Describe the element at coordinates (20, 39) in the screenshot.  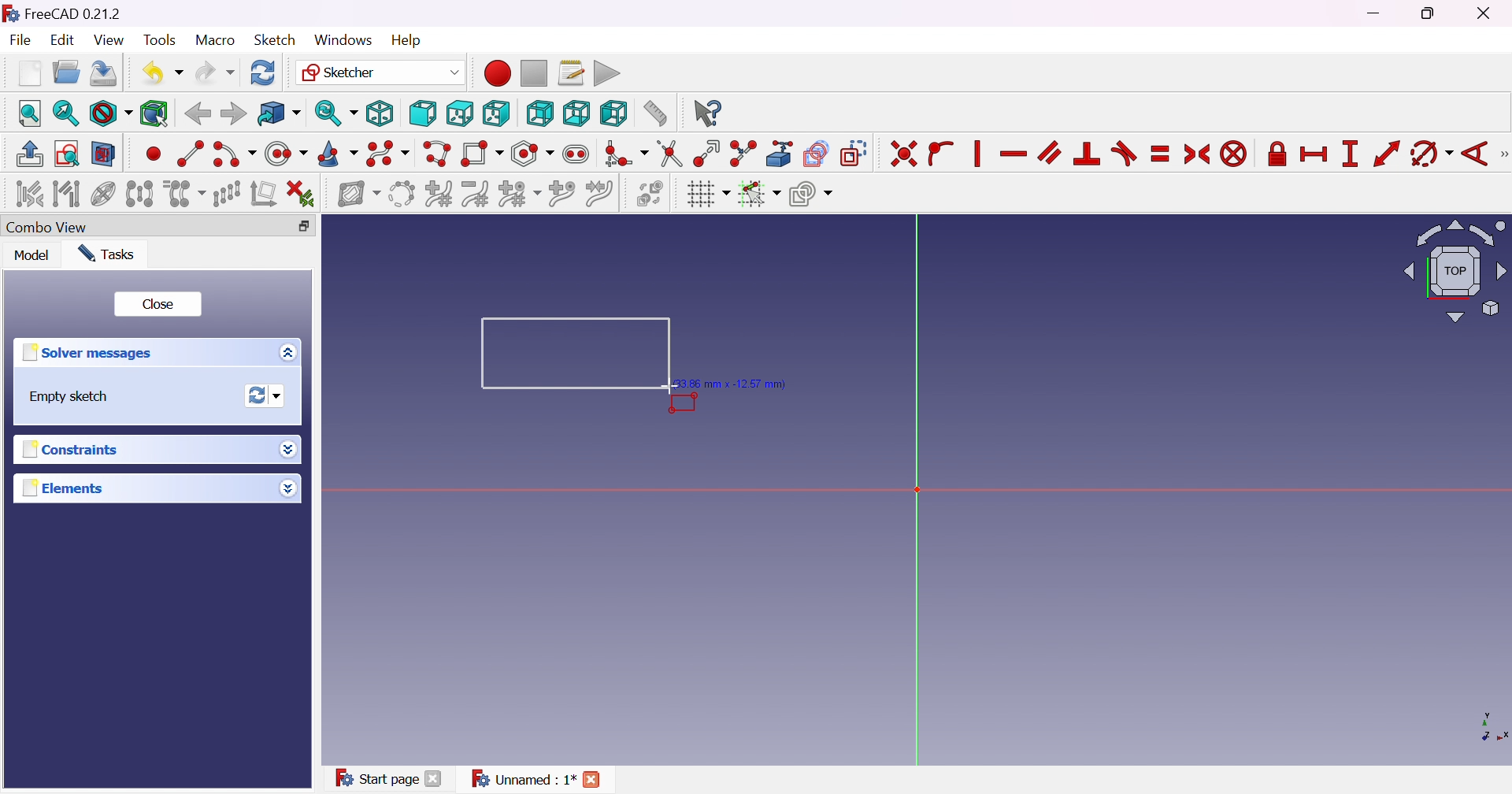
I see `File` at that location.